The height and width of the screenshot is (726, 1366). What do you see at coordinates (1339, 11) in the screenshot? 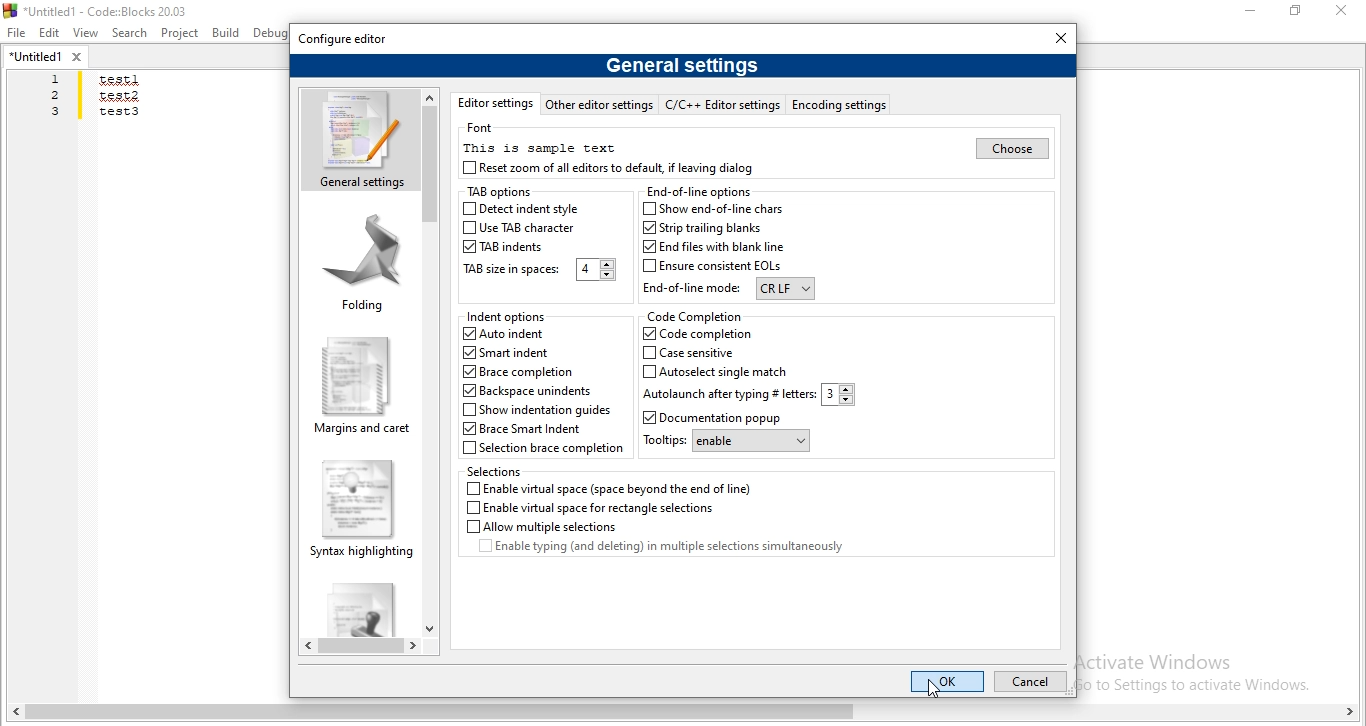
I see `Close` at bounding box center [1339, 11].